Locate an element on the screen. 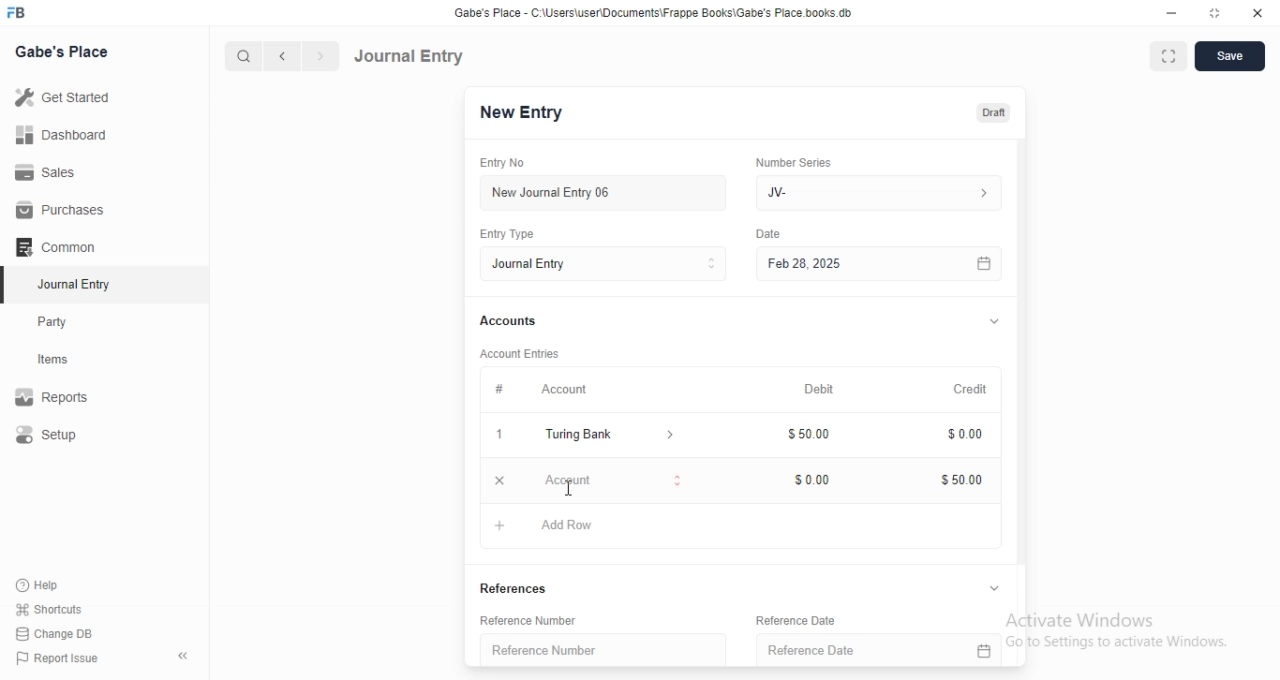 The image size is (1280, 680). Journal Entry is located at coordinates (410, 55).